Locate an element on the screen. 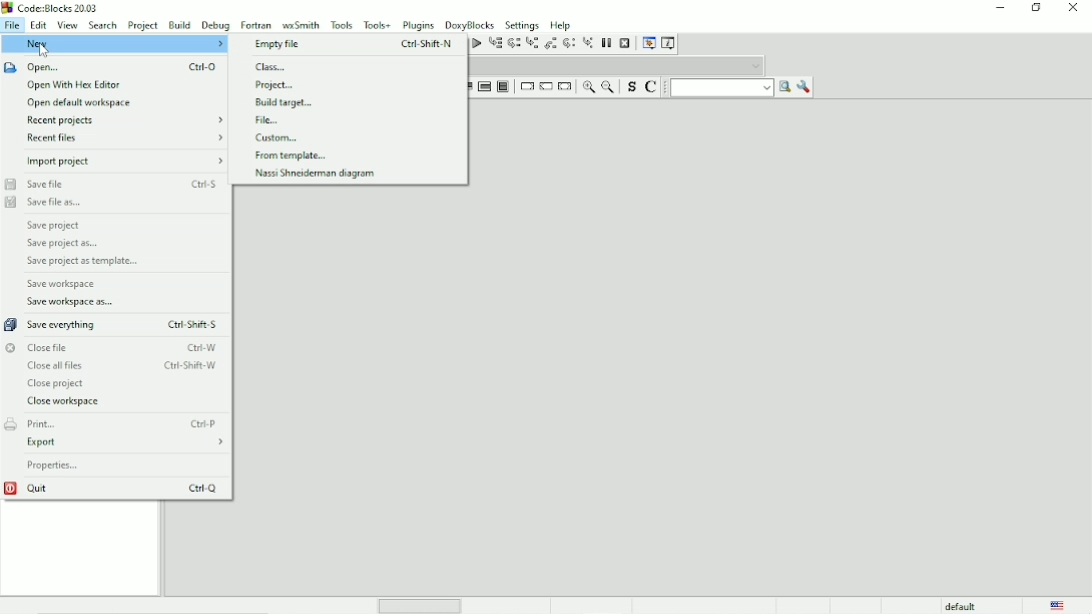 Image resolution: width=1092 pixels, height=614 pixels. Step out is located at coordinates (550, 43).